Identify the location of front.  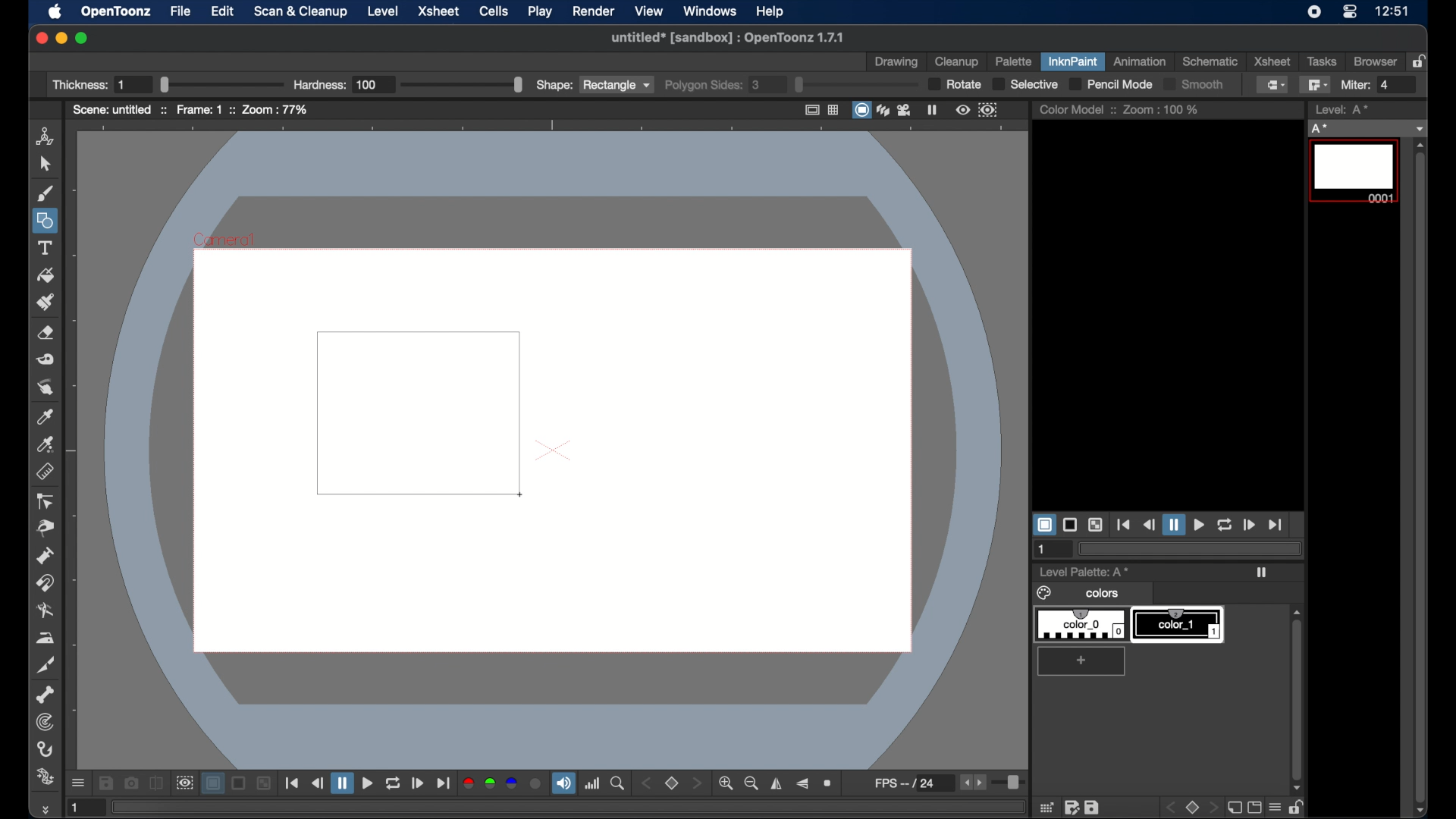
(1213, 808).